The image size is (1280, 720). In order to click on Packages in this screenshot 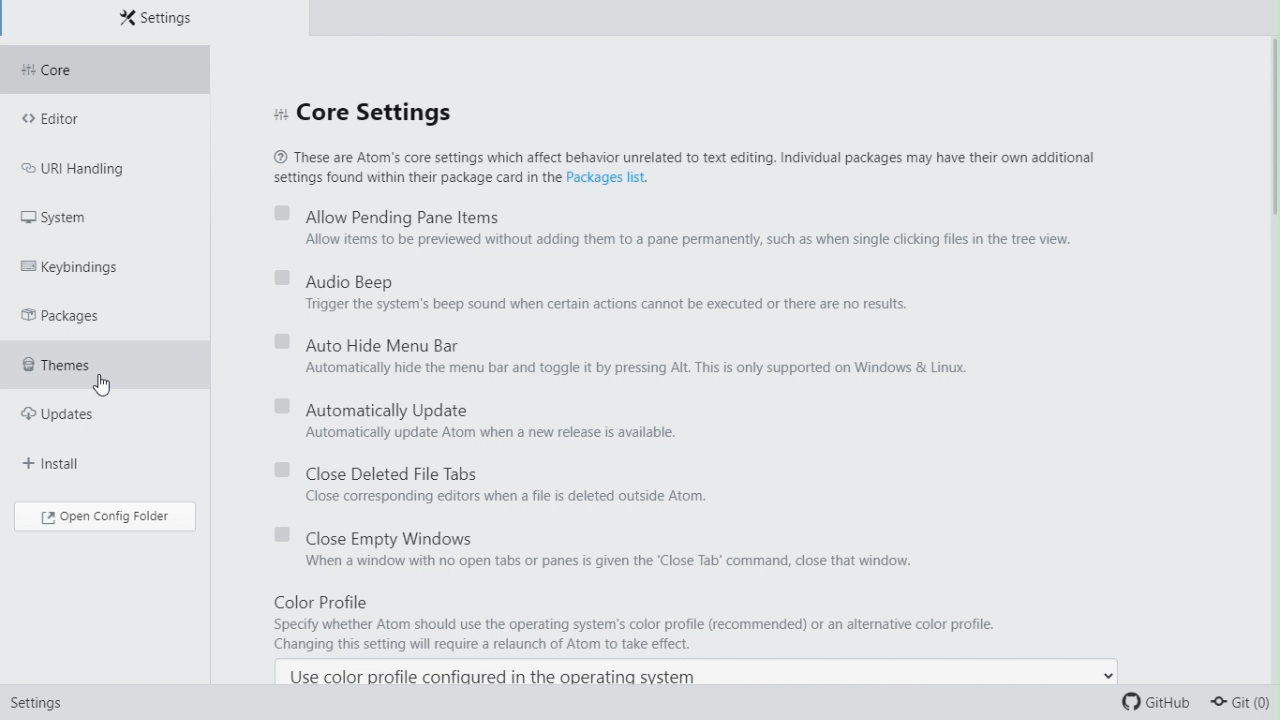, I will do `click(80, 314)`.